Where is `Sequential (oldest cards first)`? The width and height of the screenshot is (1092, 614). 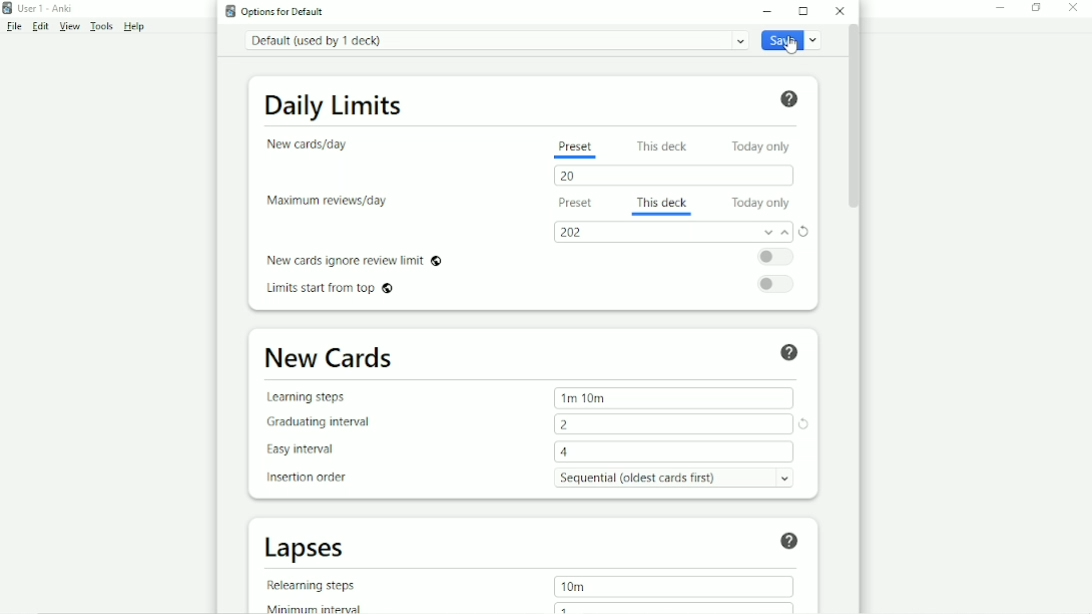
Sequential (oldest cards first) is located at coordinates (680, 477).